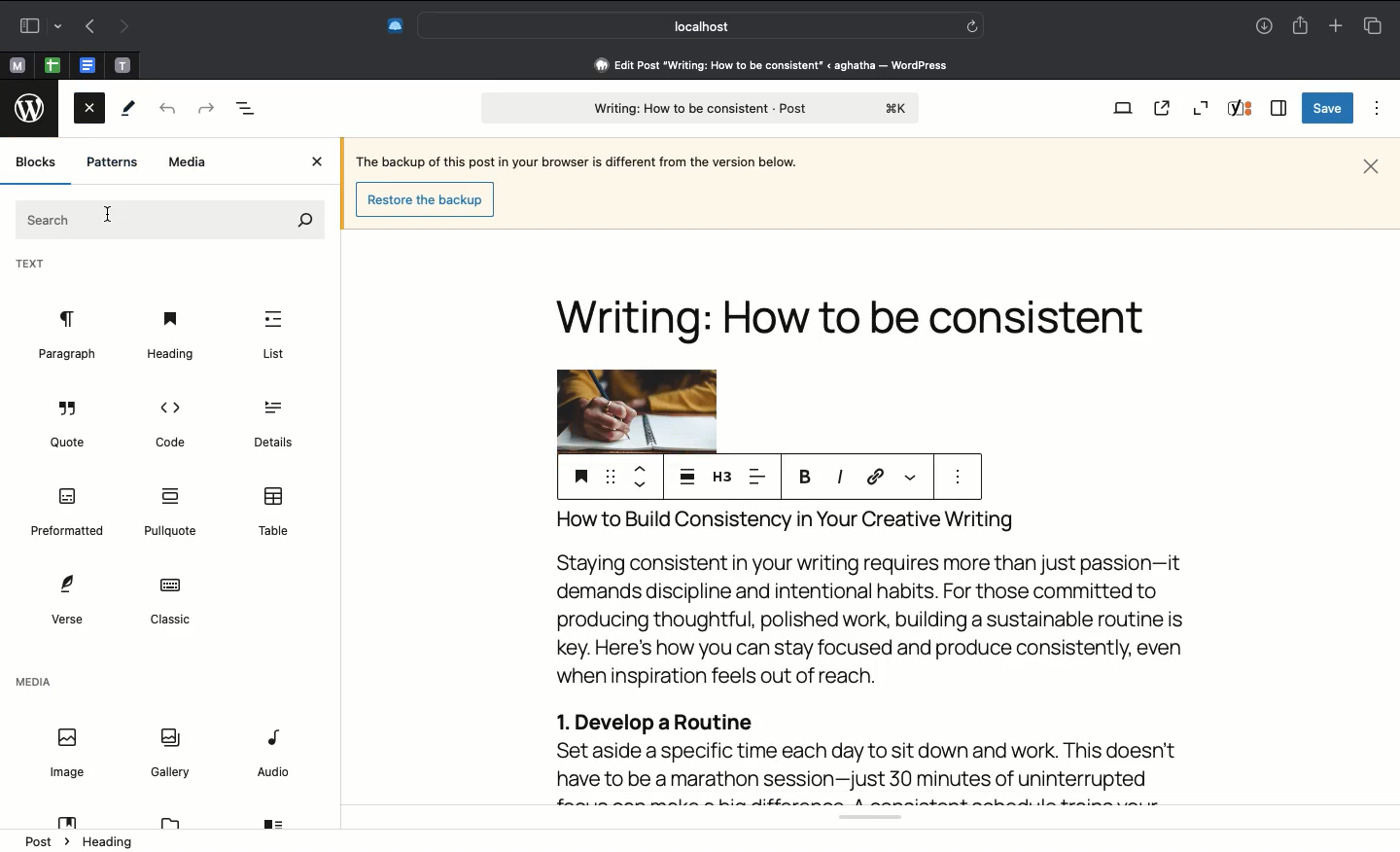 The image size is (1400, 852). I want to click on Verse, so click(65, 599).